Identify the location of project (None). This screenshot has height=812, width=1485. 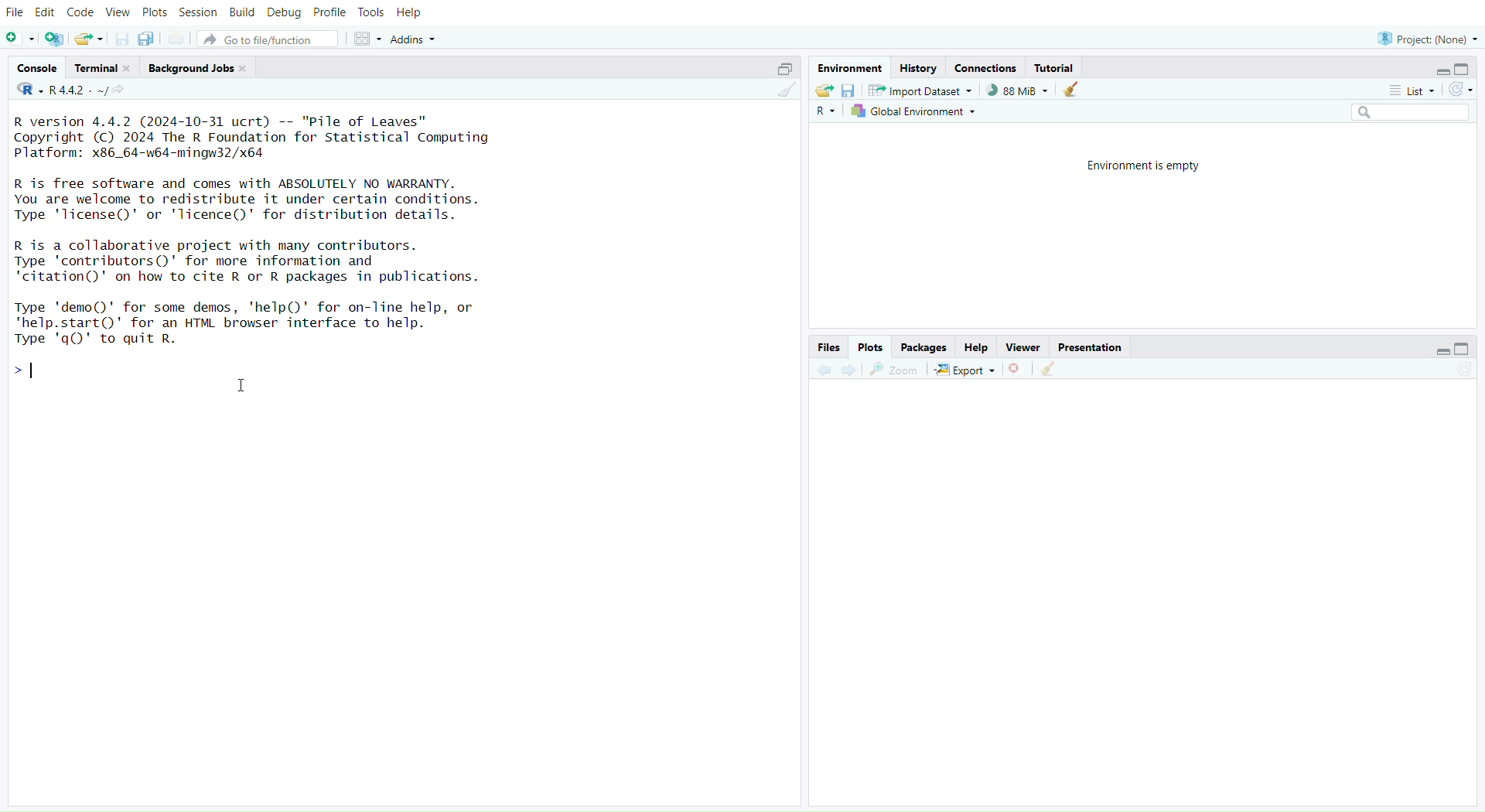
(1426, 39).